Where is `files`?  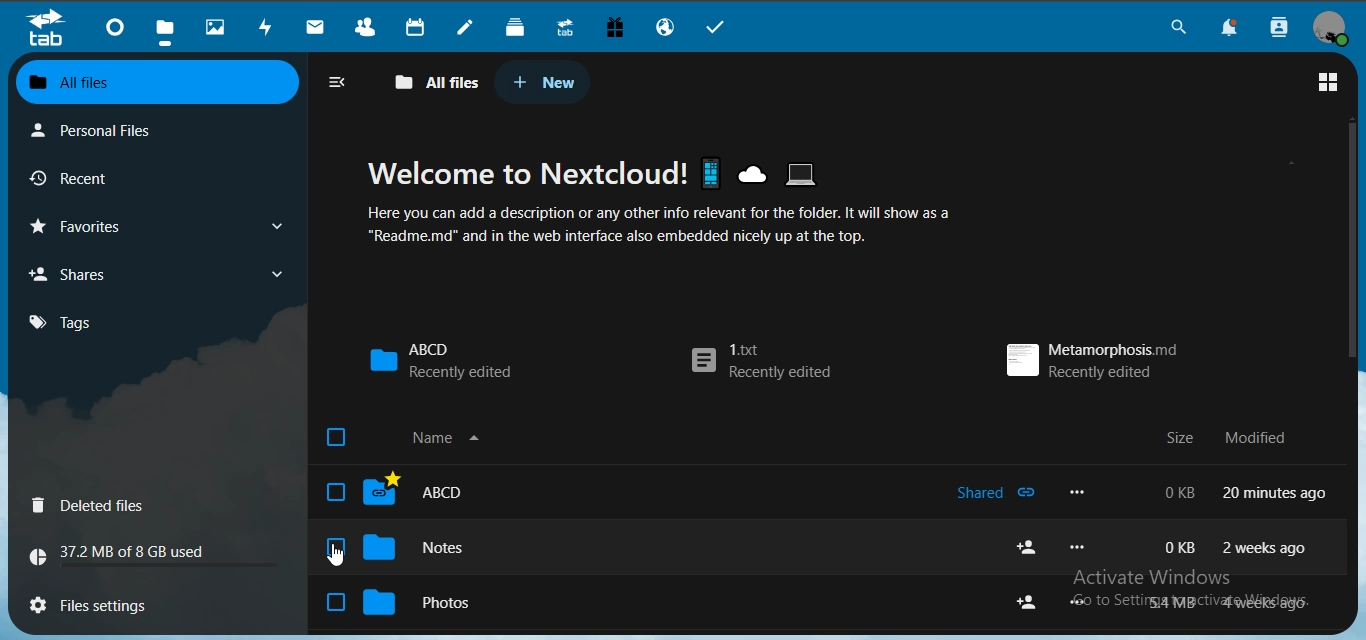
files is located at coordinates (168, 28).